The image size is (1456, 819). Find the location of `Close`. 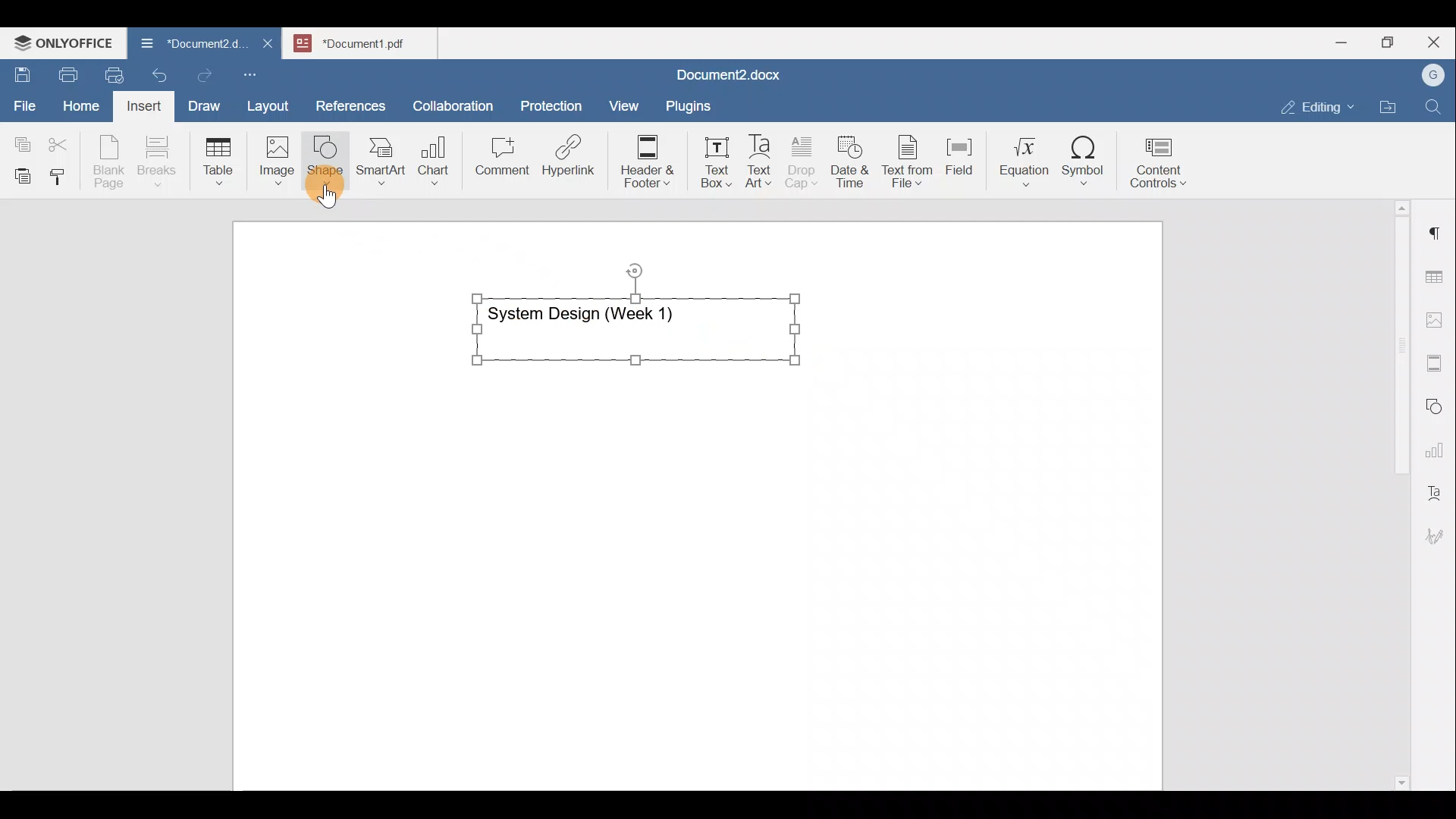

Close is located at coordinates (1436, 43).